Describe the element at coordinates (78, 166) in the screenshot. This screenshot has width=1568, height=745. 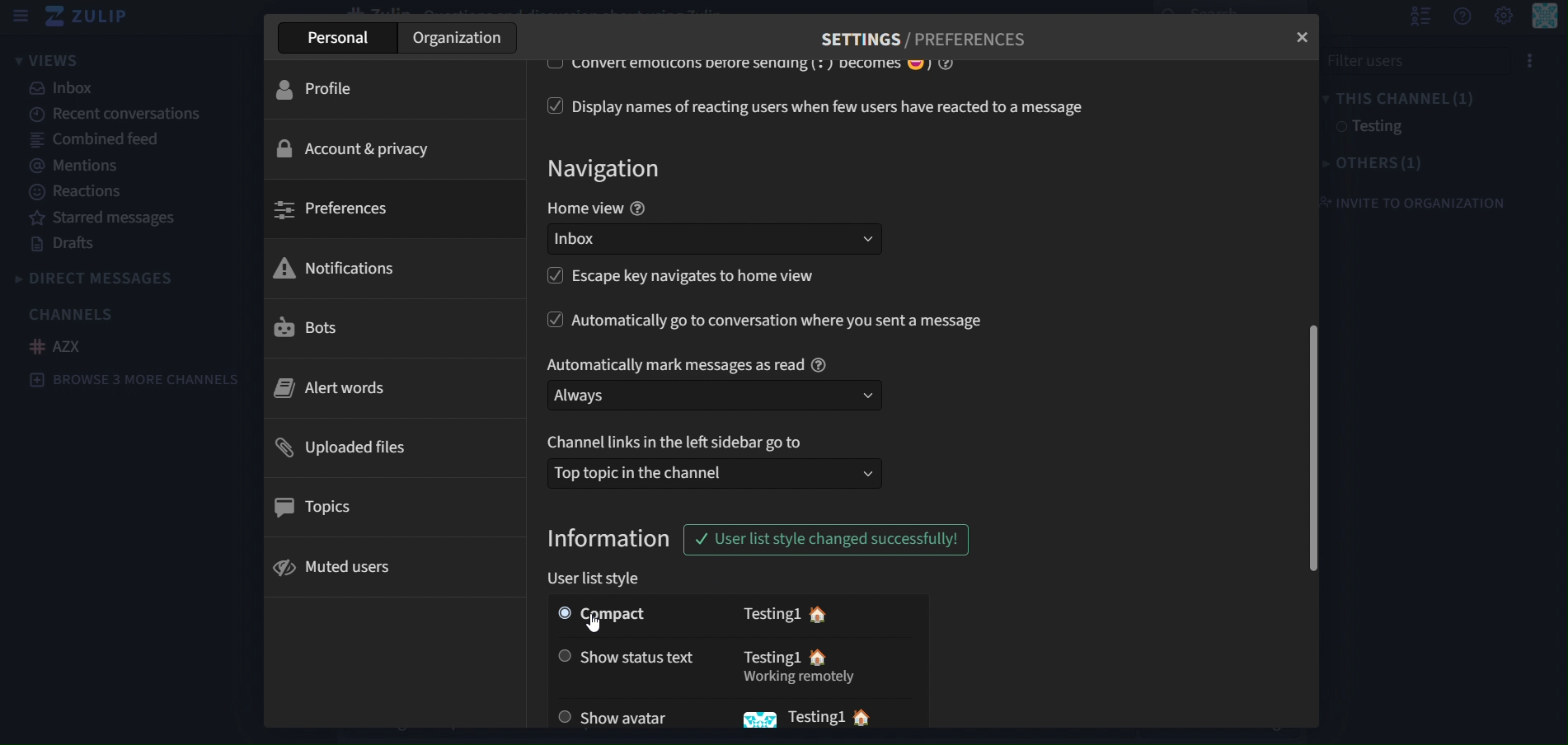
I see `mentions` at that location.